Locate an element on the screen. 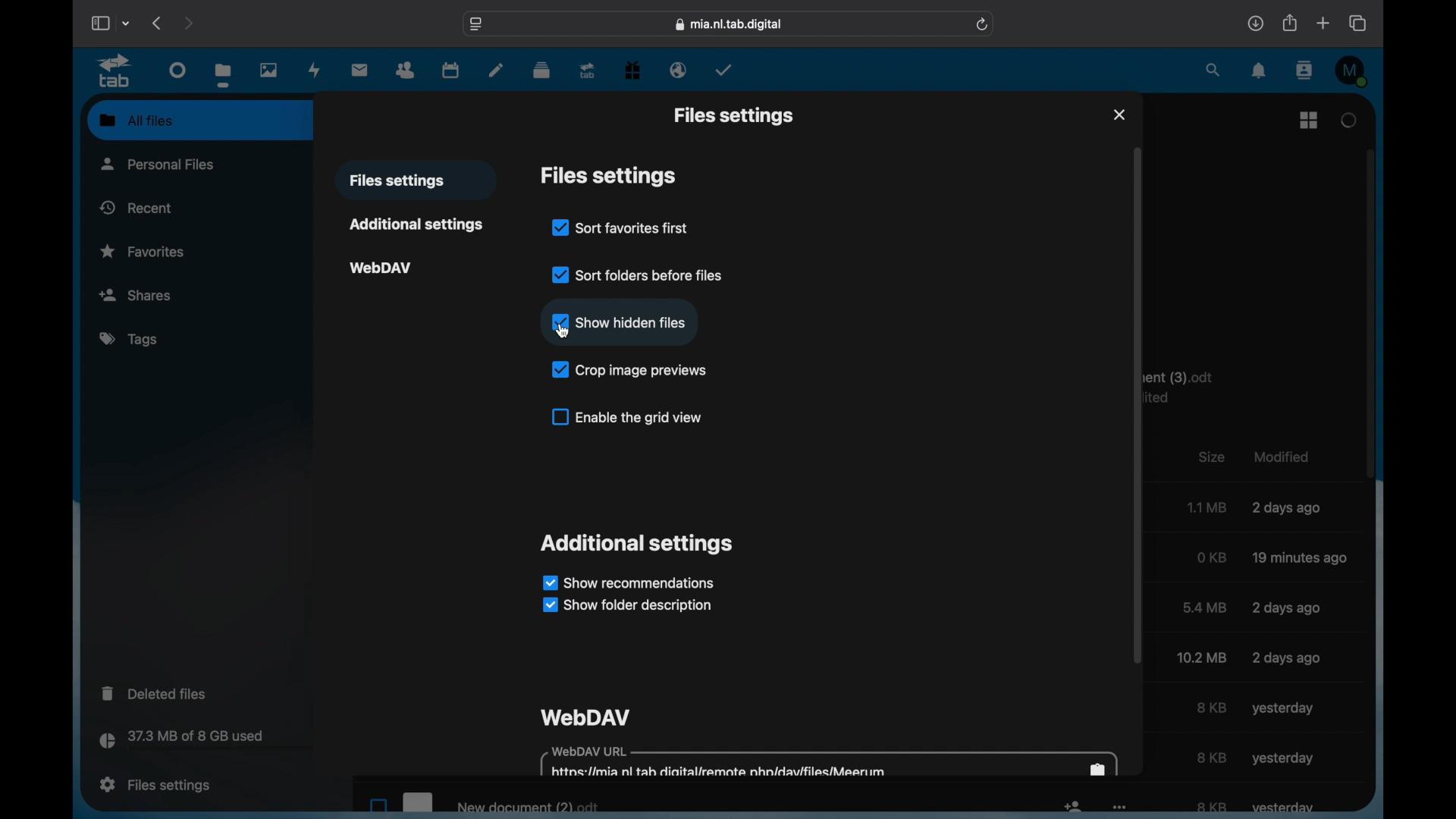 The height and width of the screenshot is (819, 1456). webdav url is located at coordinates (828, 761).